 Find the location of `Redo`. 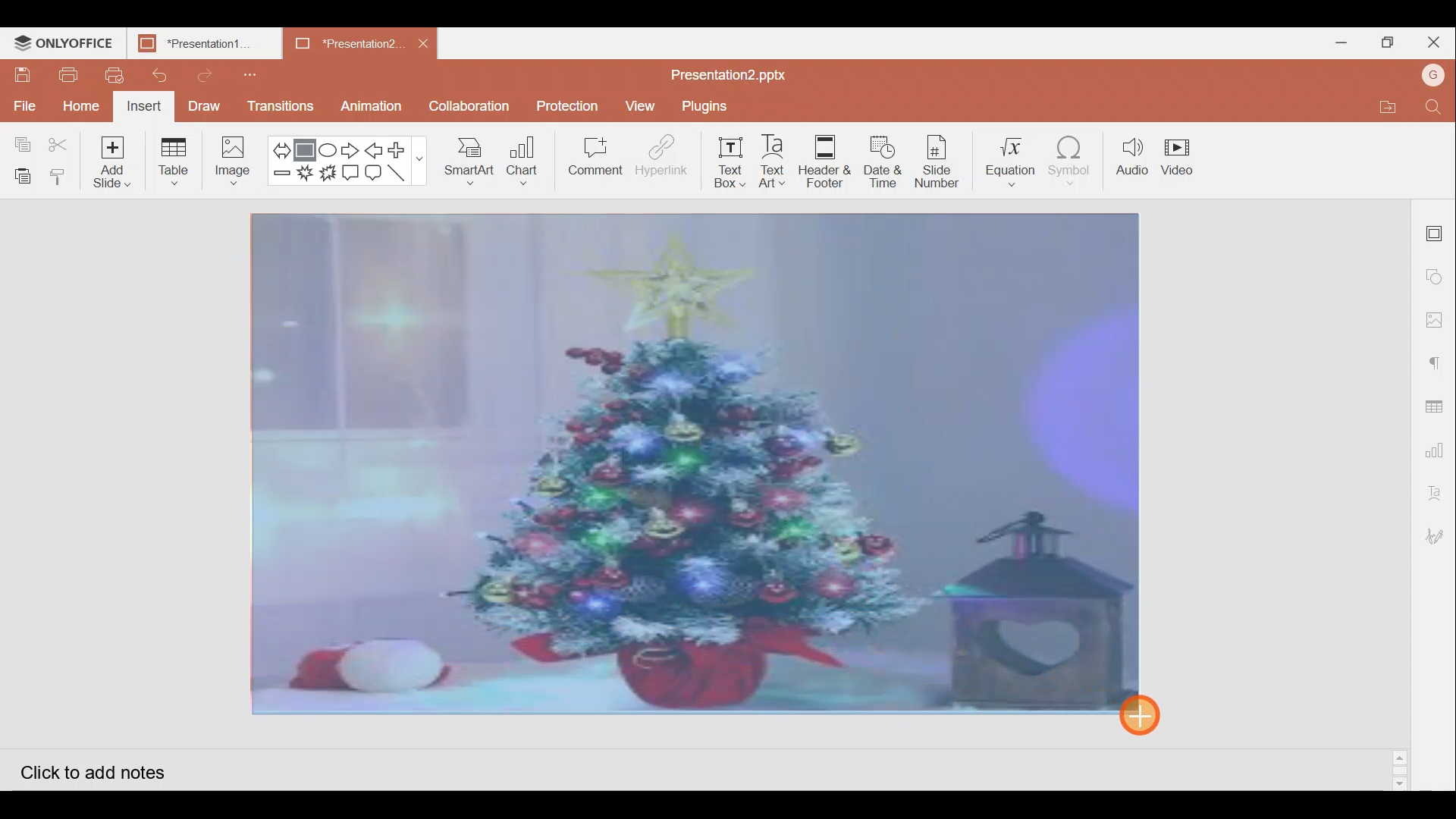

Redo is located at coordinates (208, 75).